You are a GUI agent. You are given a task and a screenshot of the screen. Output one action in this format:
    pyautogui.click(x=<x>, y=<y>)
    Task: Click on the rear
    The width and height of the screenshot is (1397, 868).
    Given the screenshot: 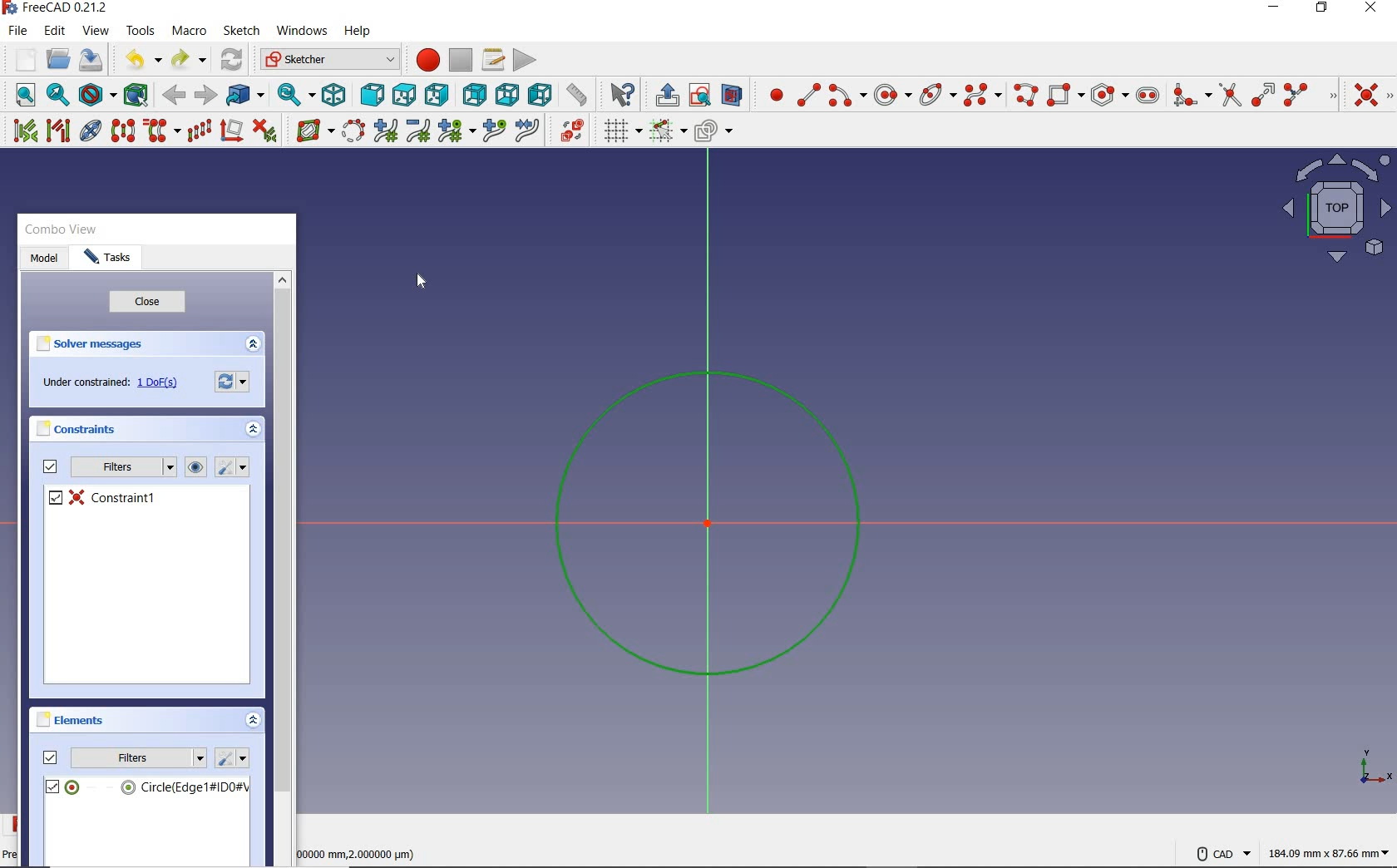 What is the action you would take?
    pyautogui.click(x=471, y=92)
    